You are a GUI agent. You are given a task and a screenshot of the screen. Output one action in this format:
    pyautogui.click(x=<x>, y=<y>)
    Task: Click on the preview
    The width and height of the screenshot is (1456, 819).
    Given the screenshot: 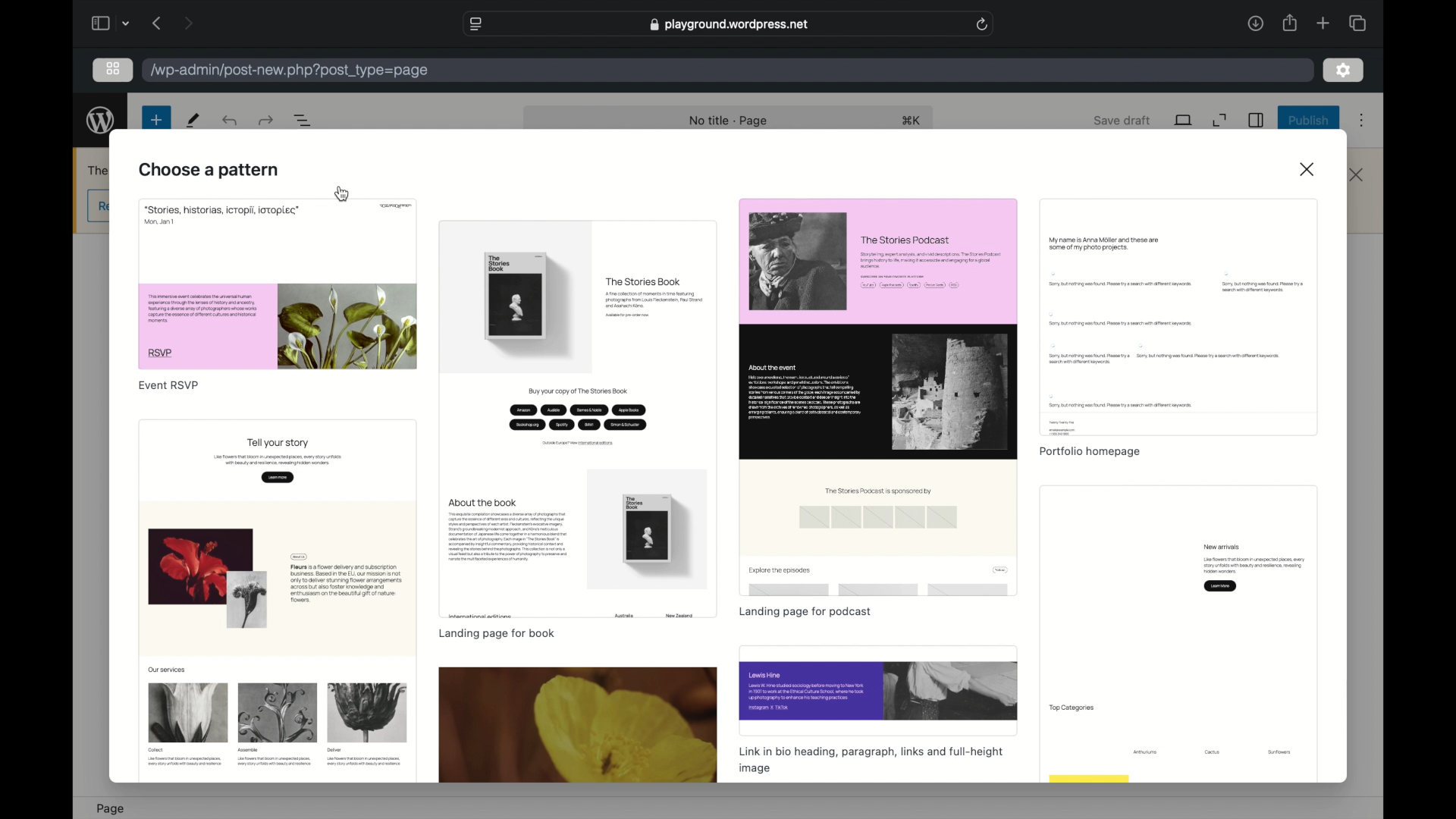 What is the action you would take?
    pyautogui.click(x=880, y=690)
    